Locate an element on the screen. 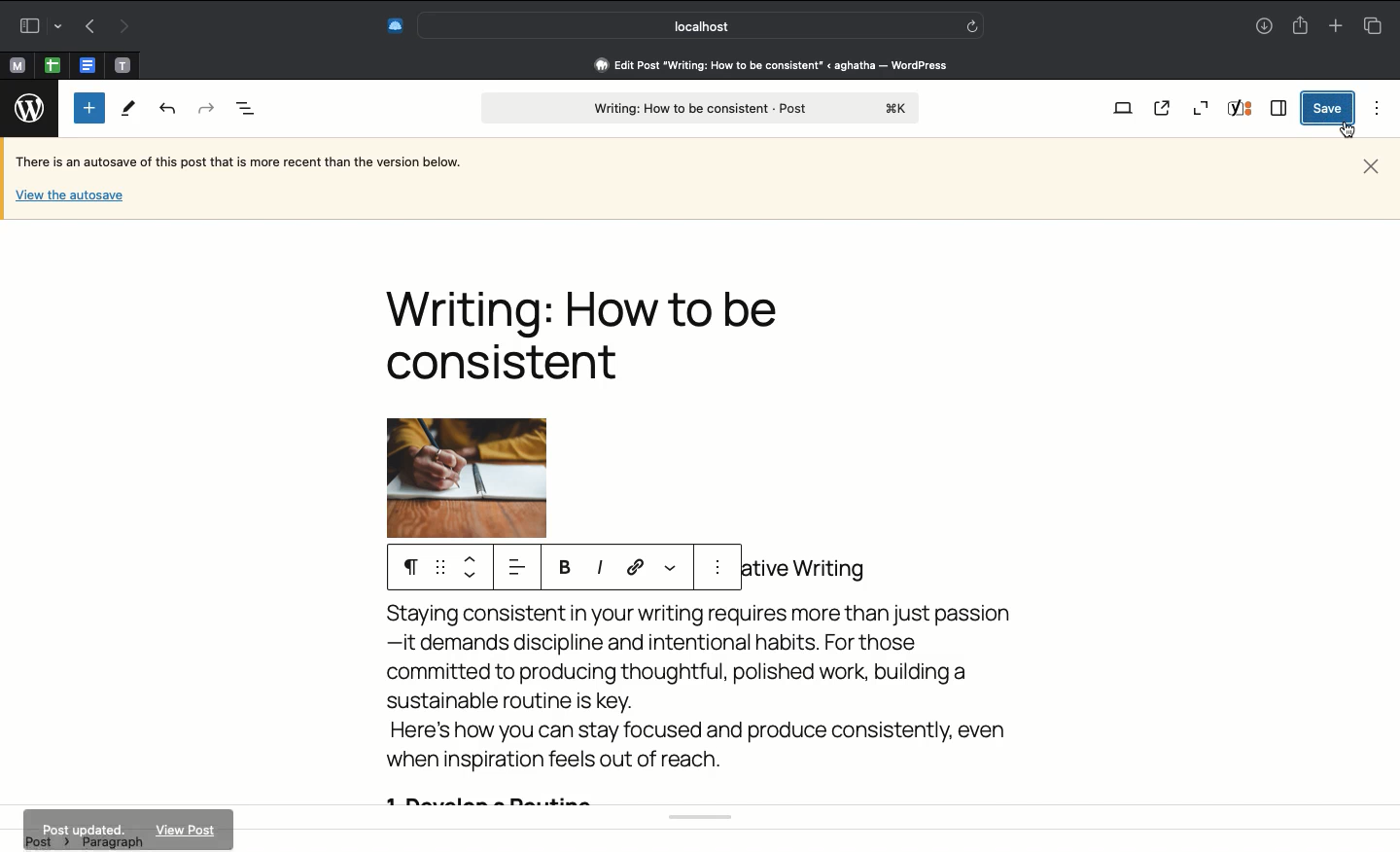  Extensions is located at coordinates (394, 23).